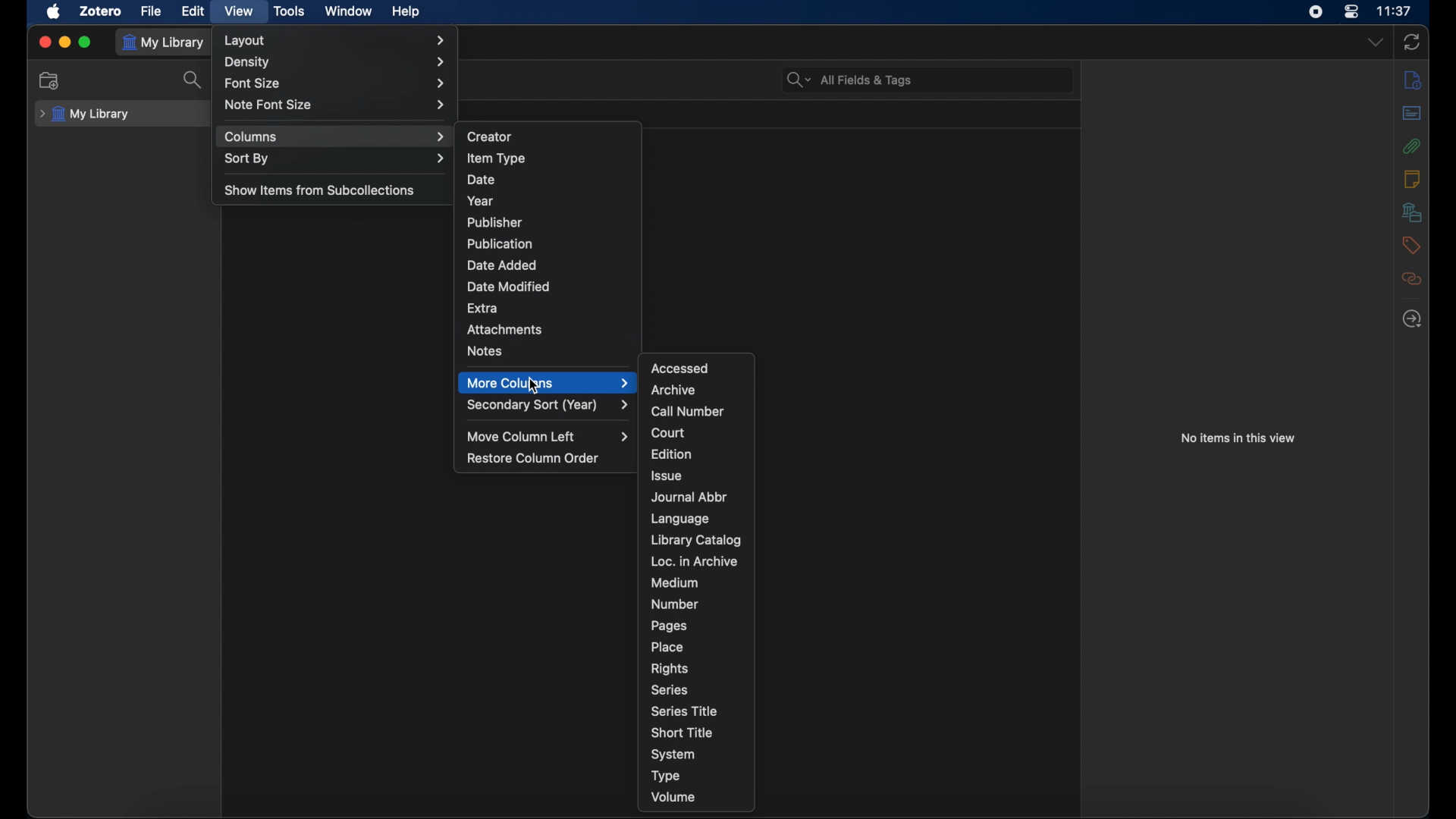 The image size is (1456, 819). Describe the element at coordinates (1318, 12) in the screenshot. I see `screen recorder` at that location.